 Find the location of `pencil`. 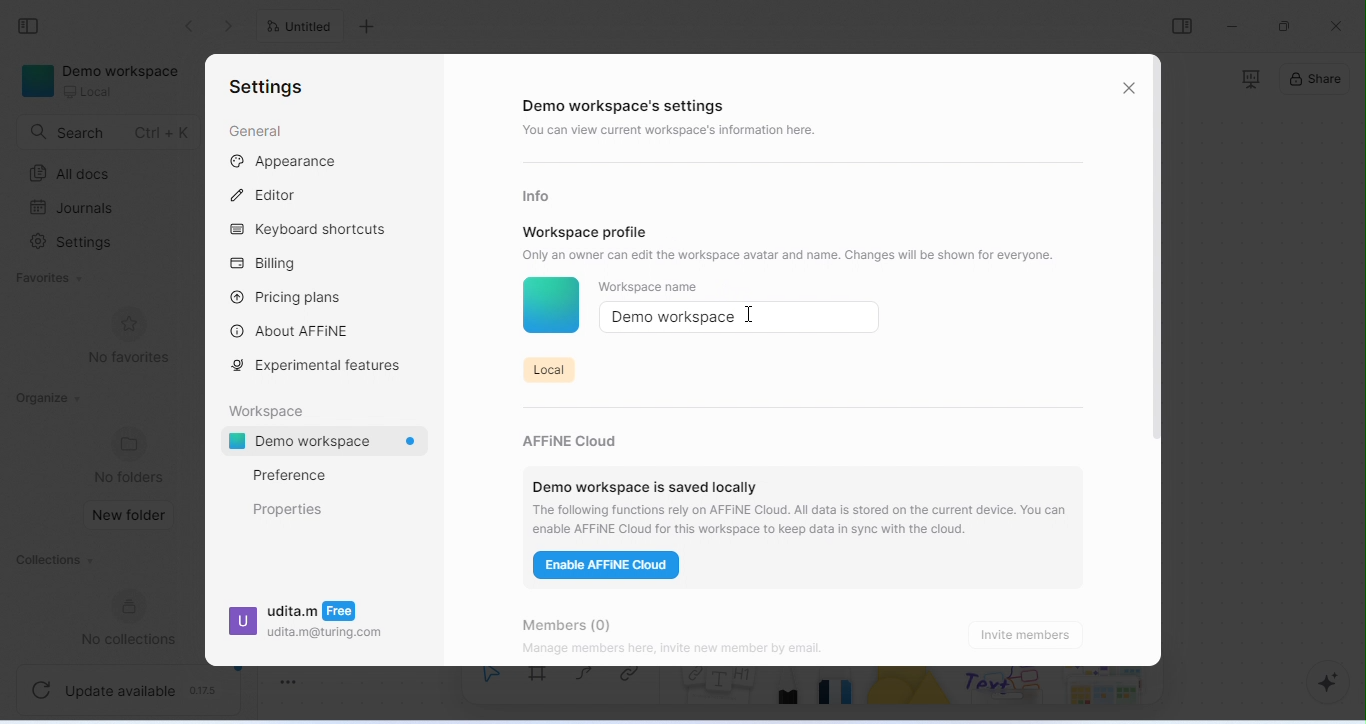

pencil is located at coordinates (790, 693).